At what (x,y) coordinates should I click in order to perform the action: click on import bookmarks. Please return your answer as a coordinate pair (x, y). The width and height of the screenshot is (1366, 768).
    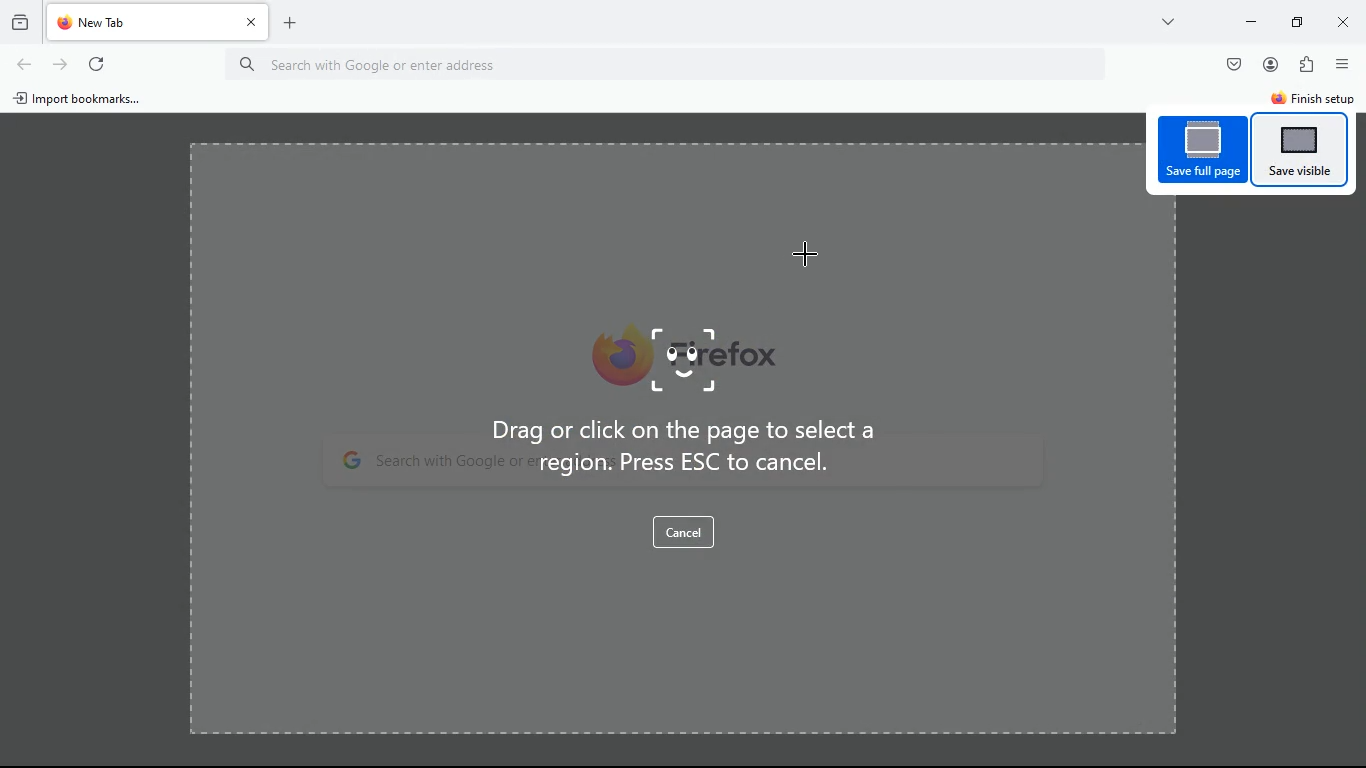
    Looking at the image, I should click on (83, 100).